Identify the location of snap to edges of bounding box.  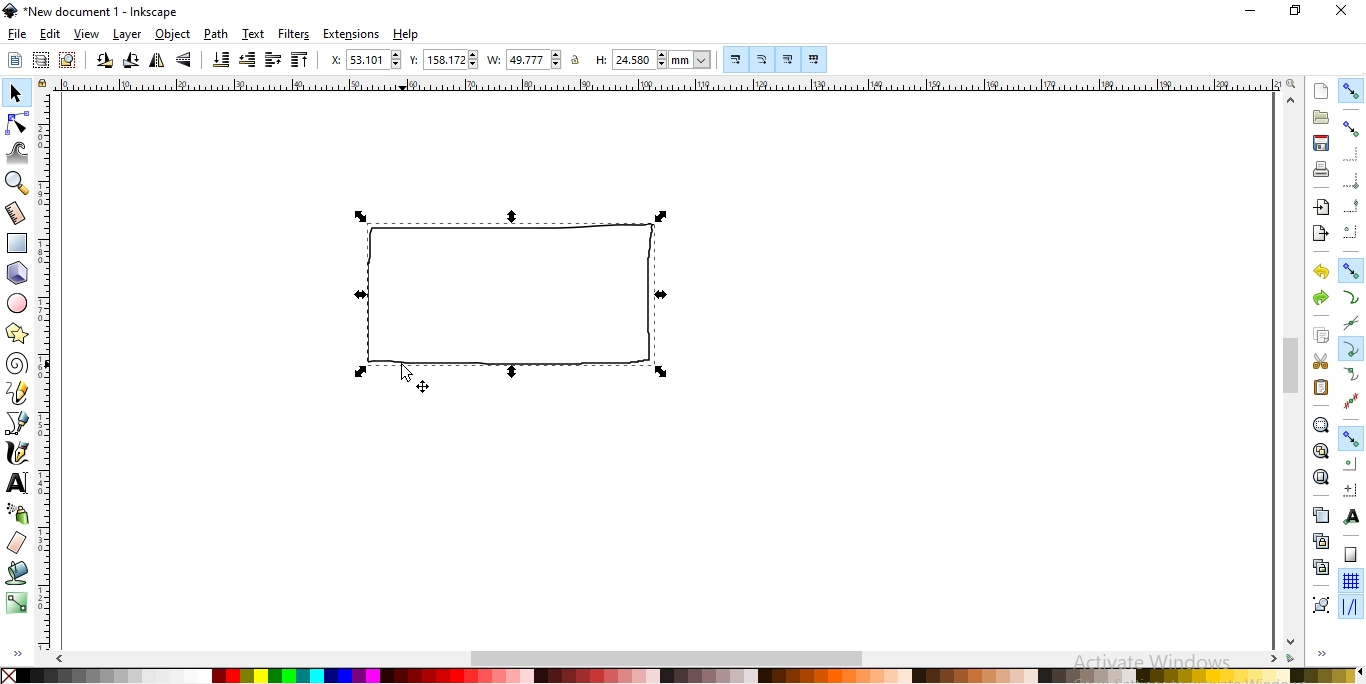
(1351, 155).